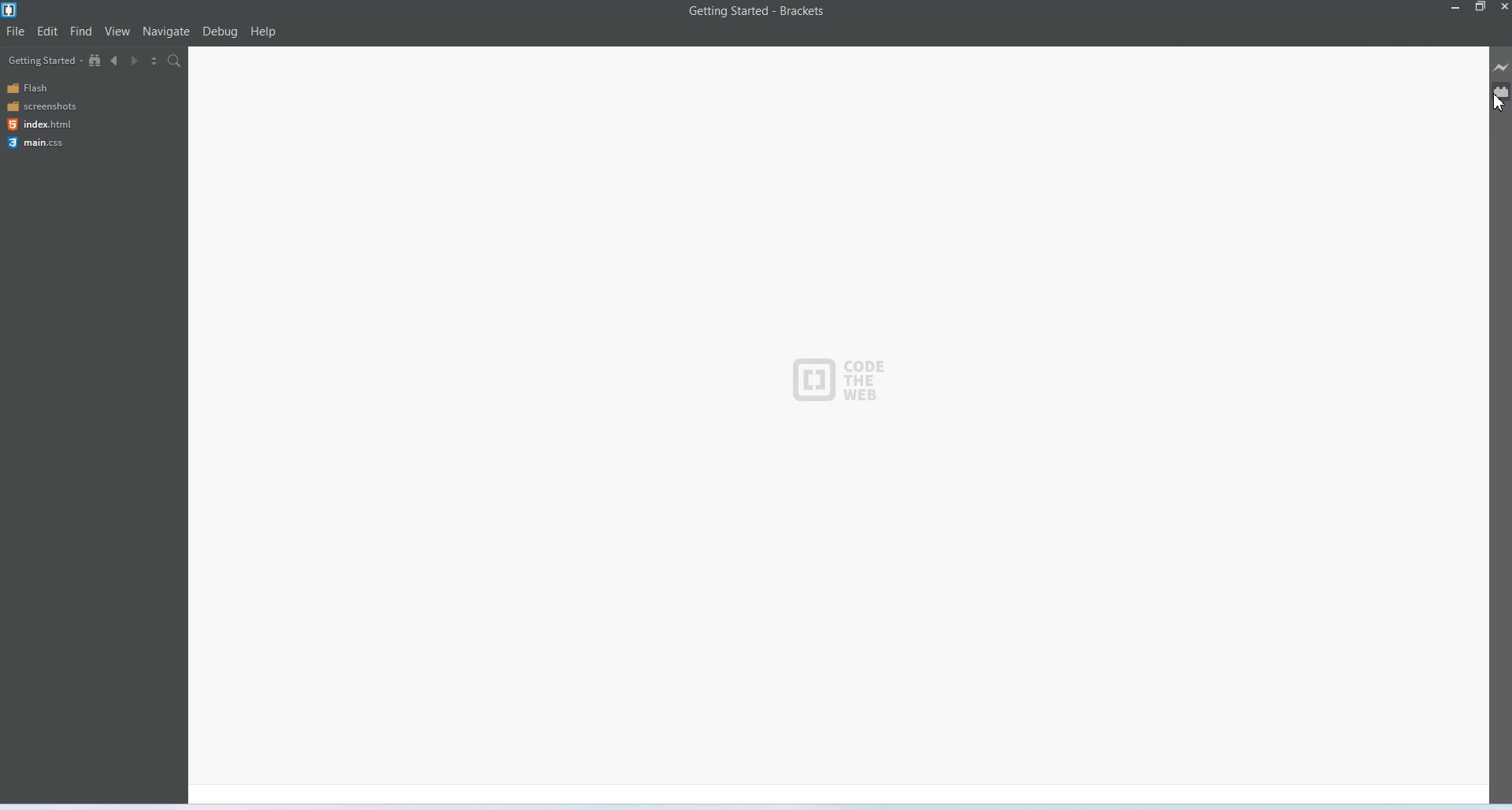 This screenshot has height=810, width=1512. Describe the element at coordinates (838, 424) in the screenshot. I see `Default Getting Started Screen` at that location.